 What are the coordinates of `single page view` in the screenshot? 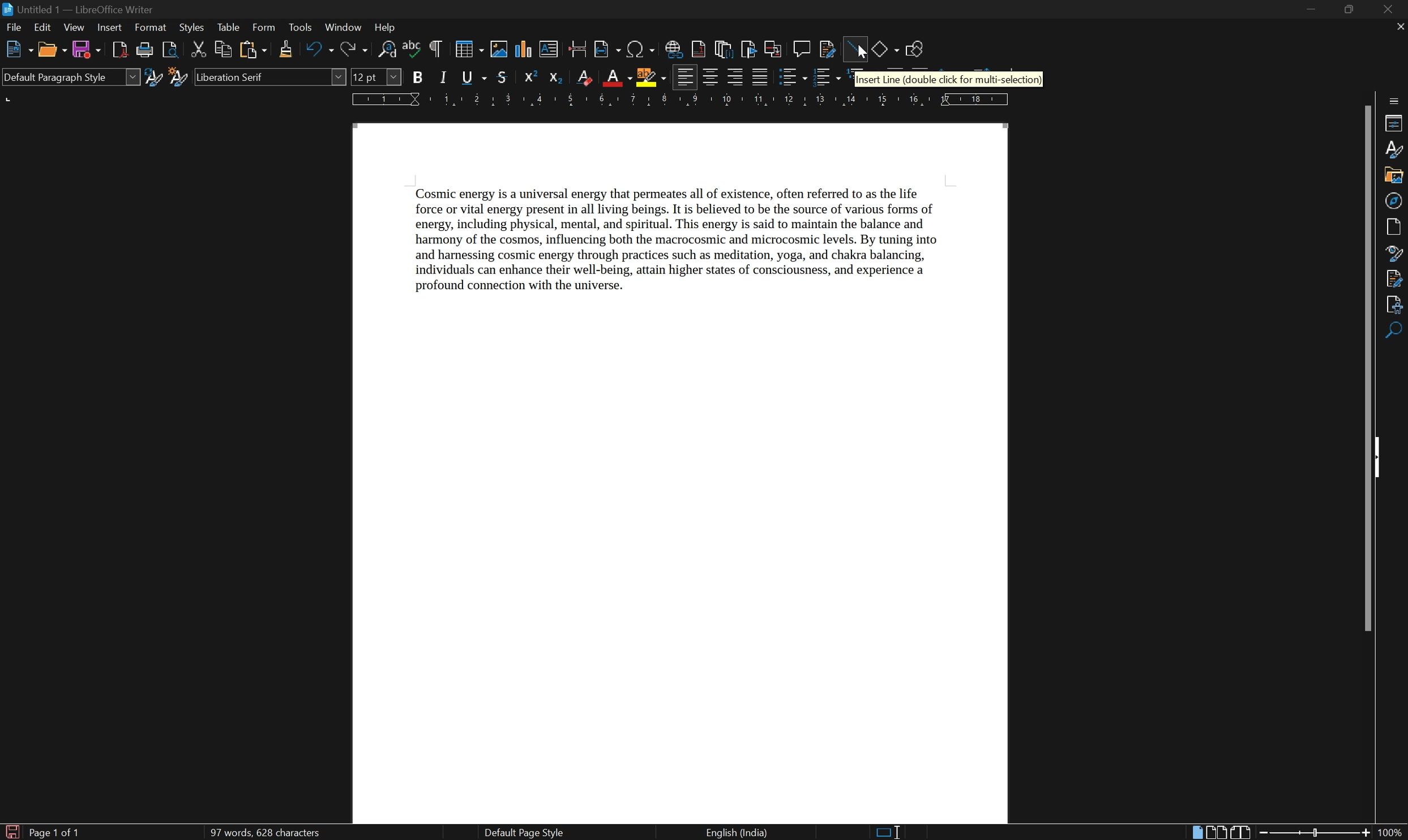 It's located at (1197, 833).